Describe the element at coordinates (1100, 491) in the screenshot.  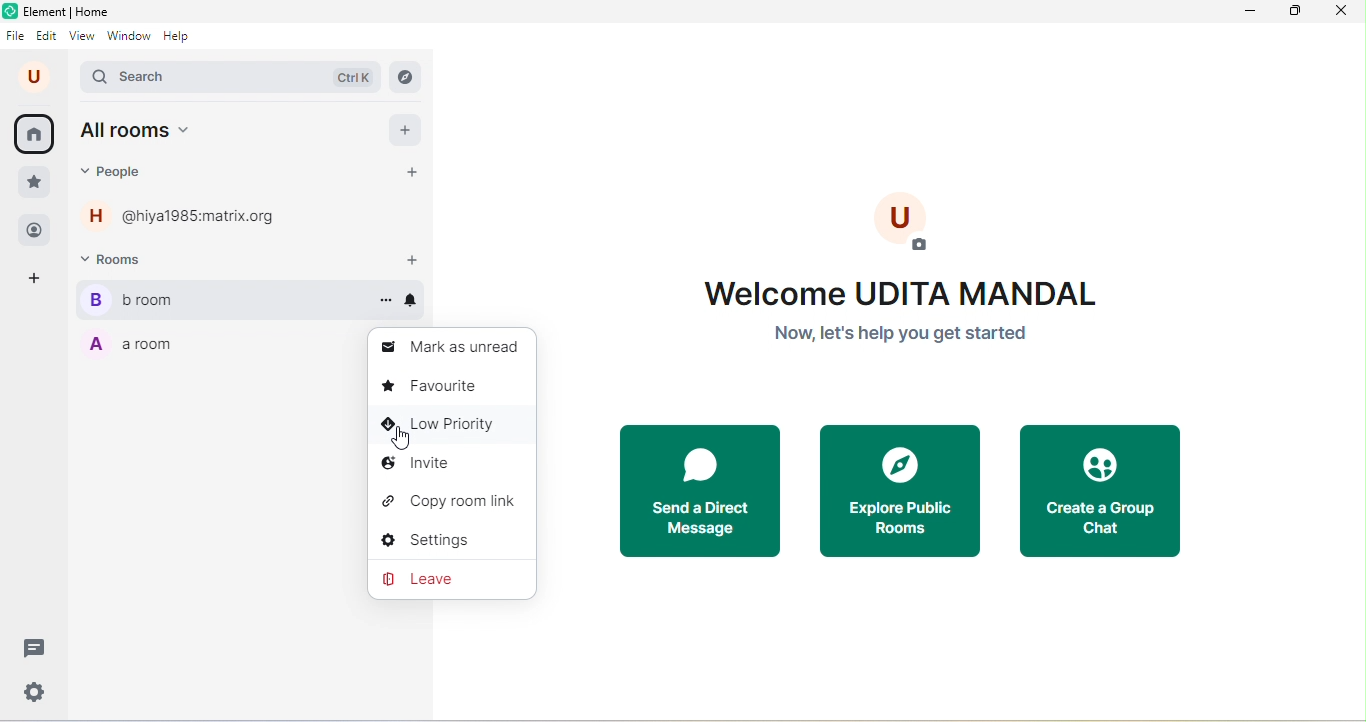
I see `create a chat group` at that location.